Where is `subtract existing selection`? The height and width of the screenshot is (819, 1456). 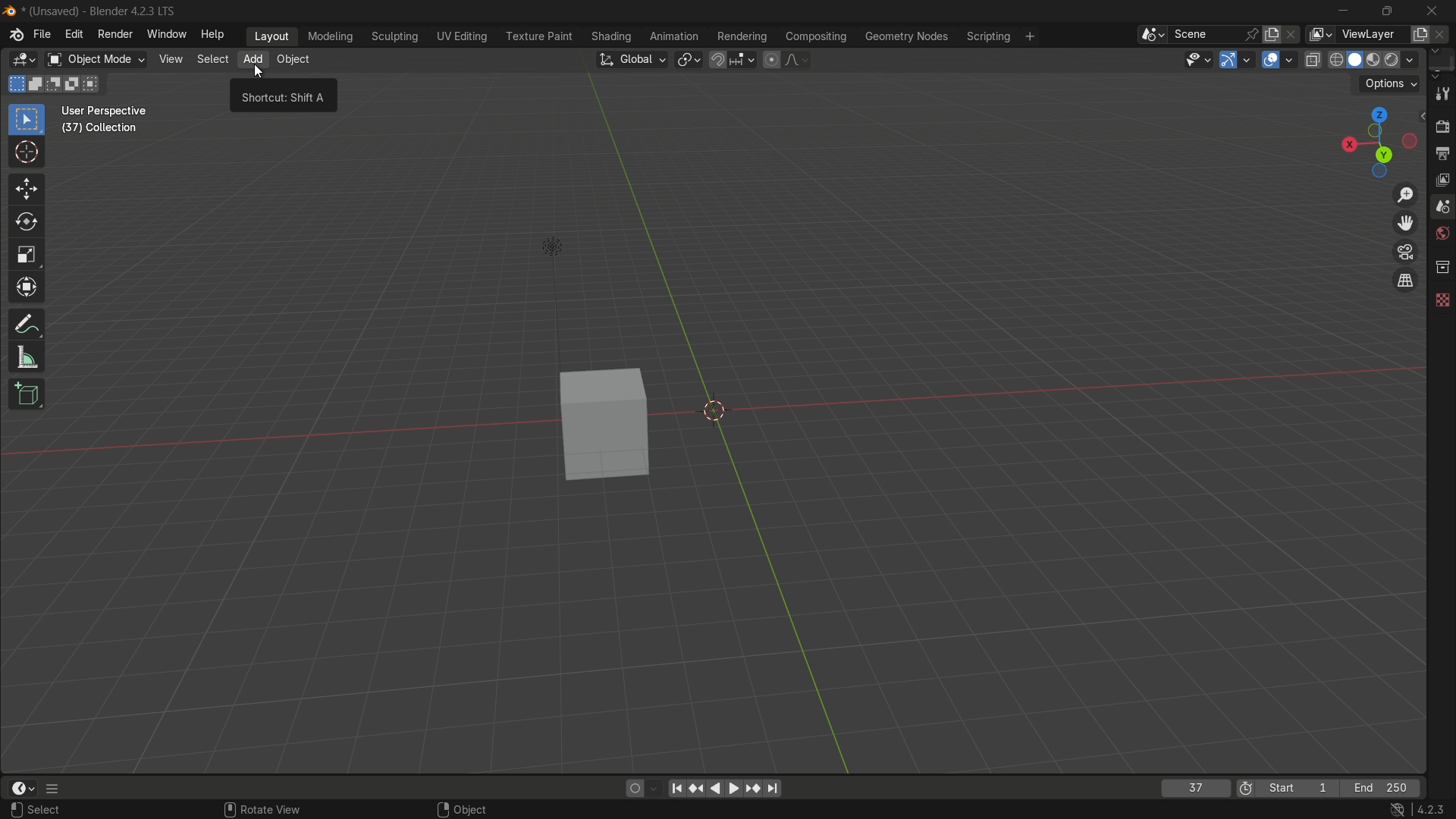 subtract existing selection is located at coordinates (57, 83).